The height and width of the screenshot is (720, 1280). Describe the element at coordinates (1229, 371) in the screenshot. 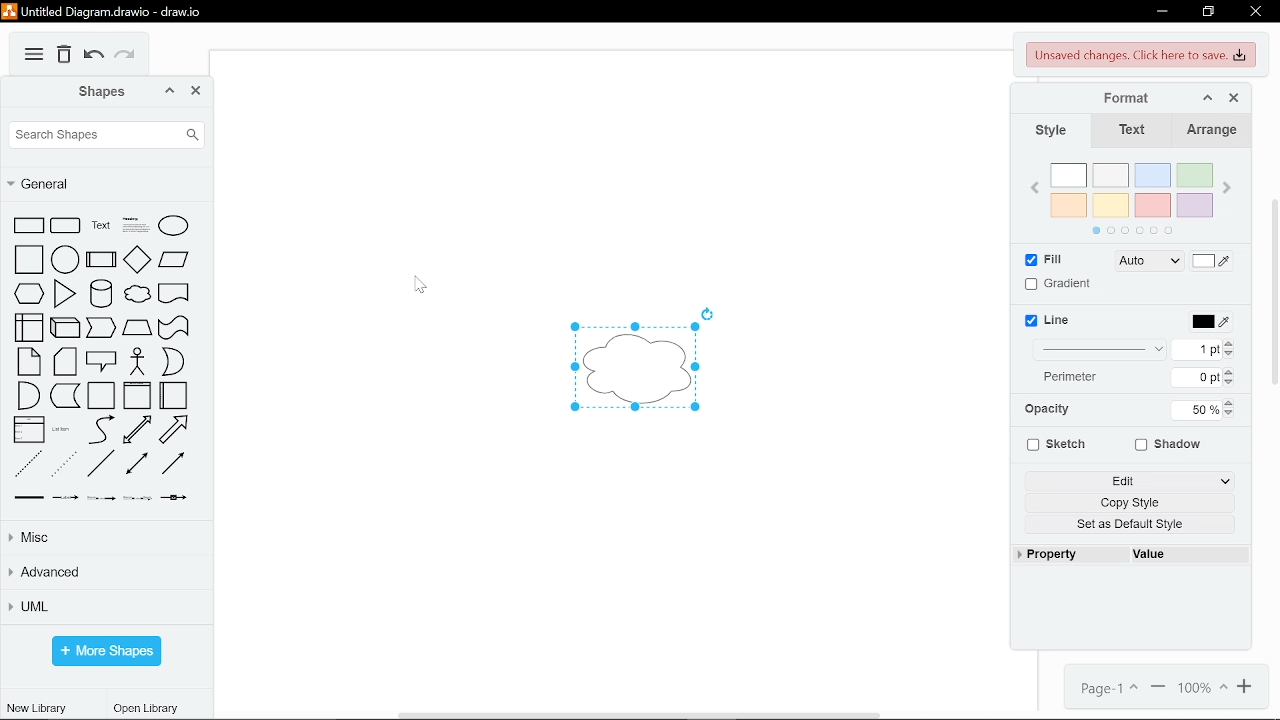

I see `increase perimeter` at that location.